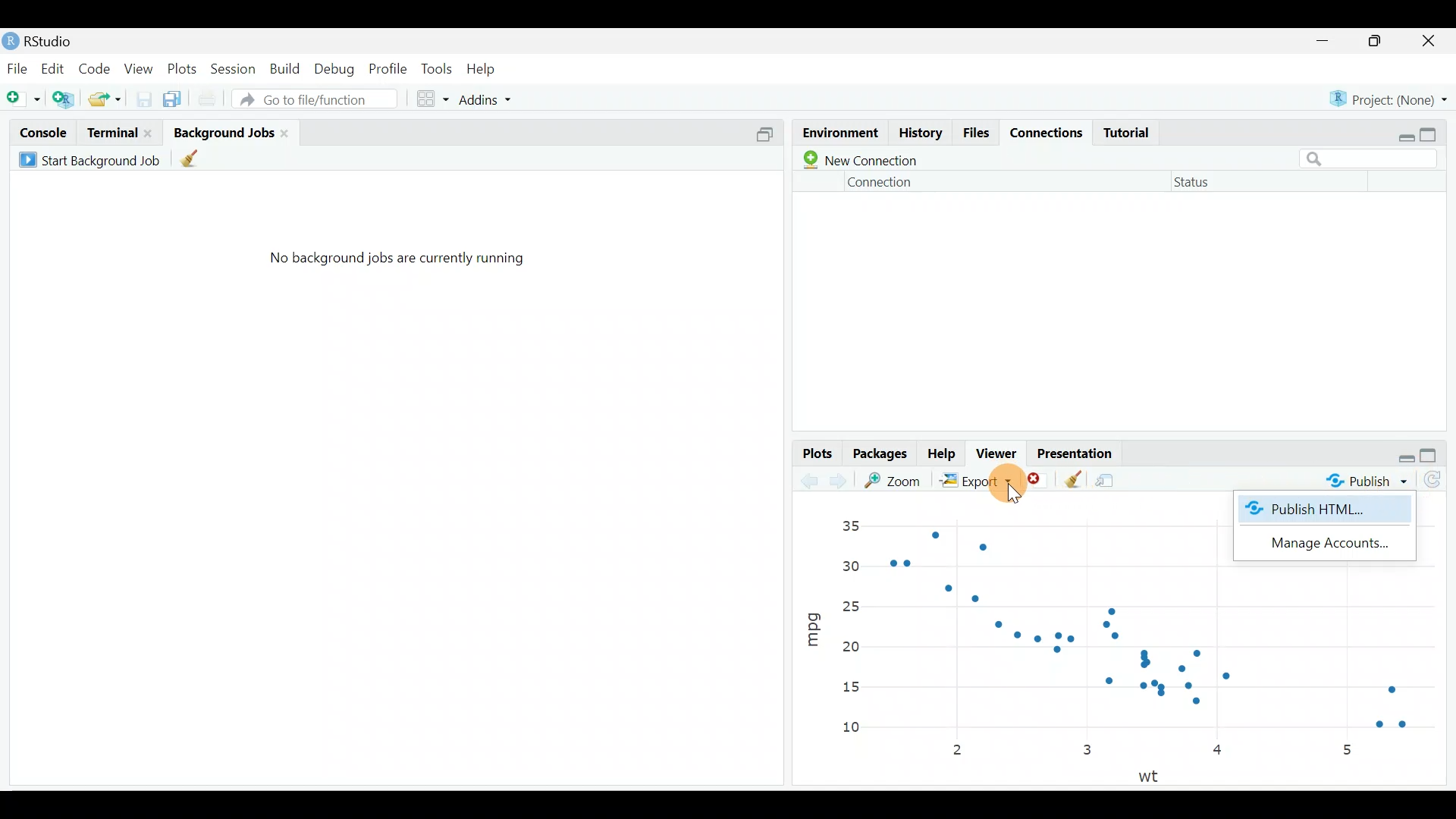 The image size is (1456, 819). What do you see at coordinates (436, 71) in the screenshot?
I see `Tools` at bounding box center [436, 71].